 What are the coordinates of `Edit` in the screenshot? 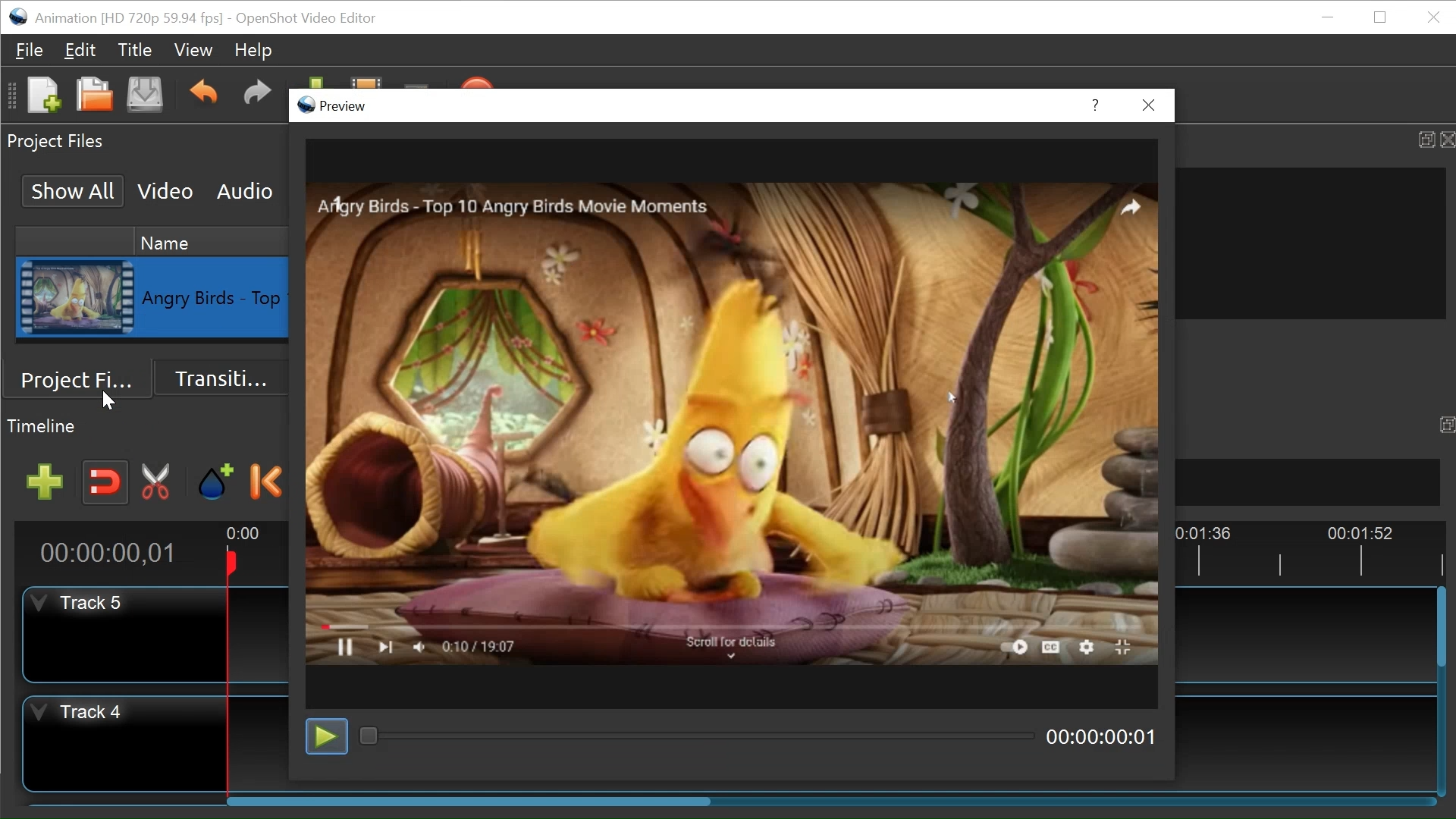 It's located at (81, 51).